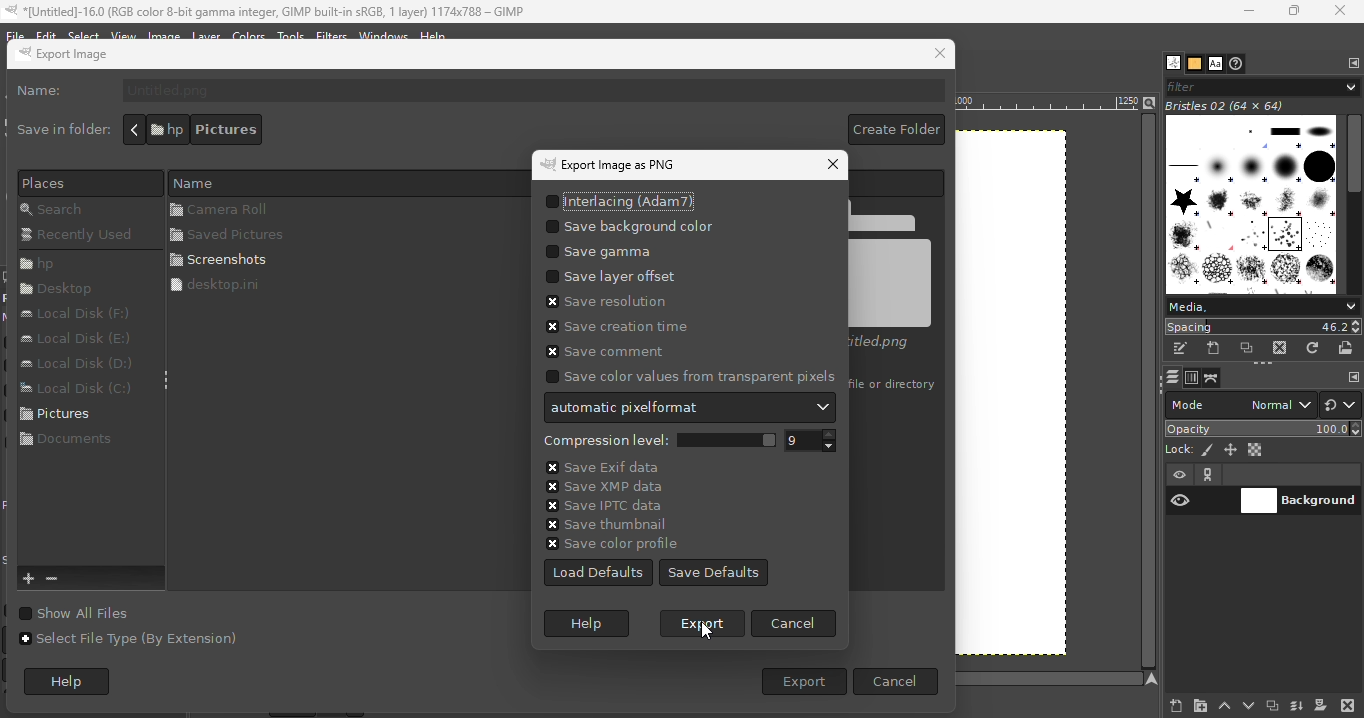 The image size is (1364, 718). Describe the element at coordinates (84, 36) in the screenshot. I see `Select` at that location.